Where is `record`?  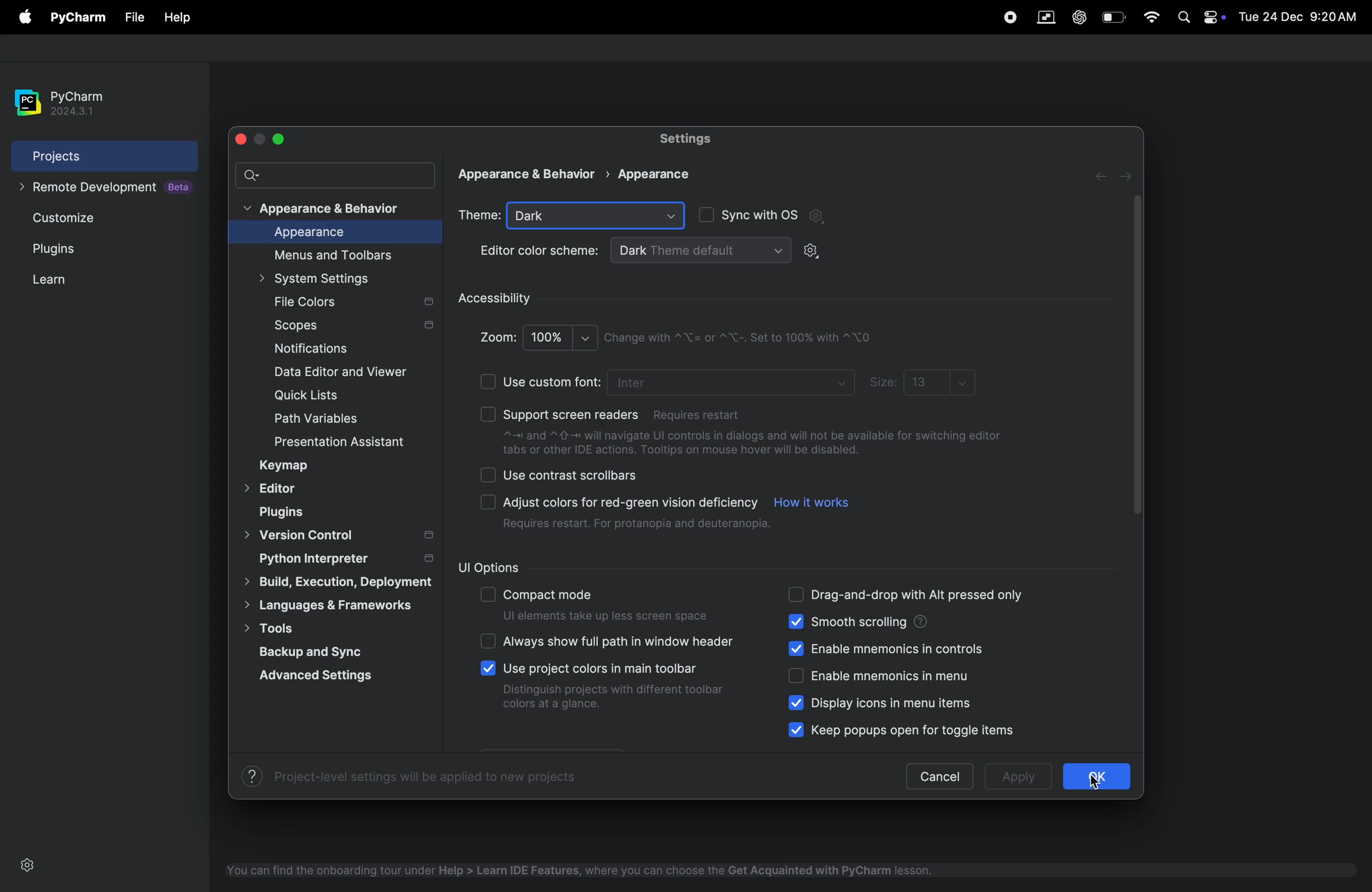 record is located at coordinates (1004, 16).